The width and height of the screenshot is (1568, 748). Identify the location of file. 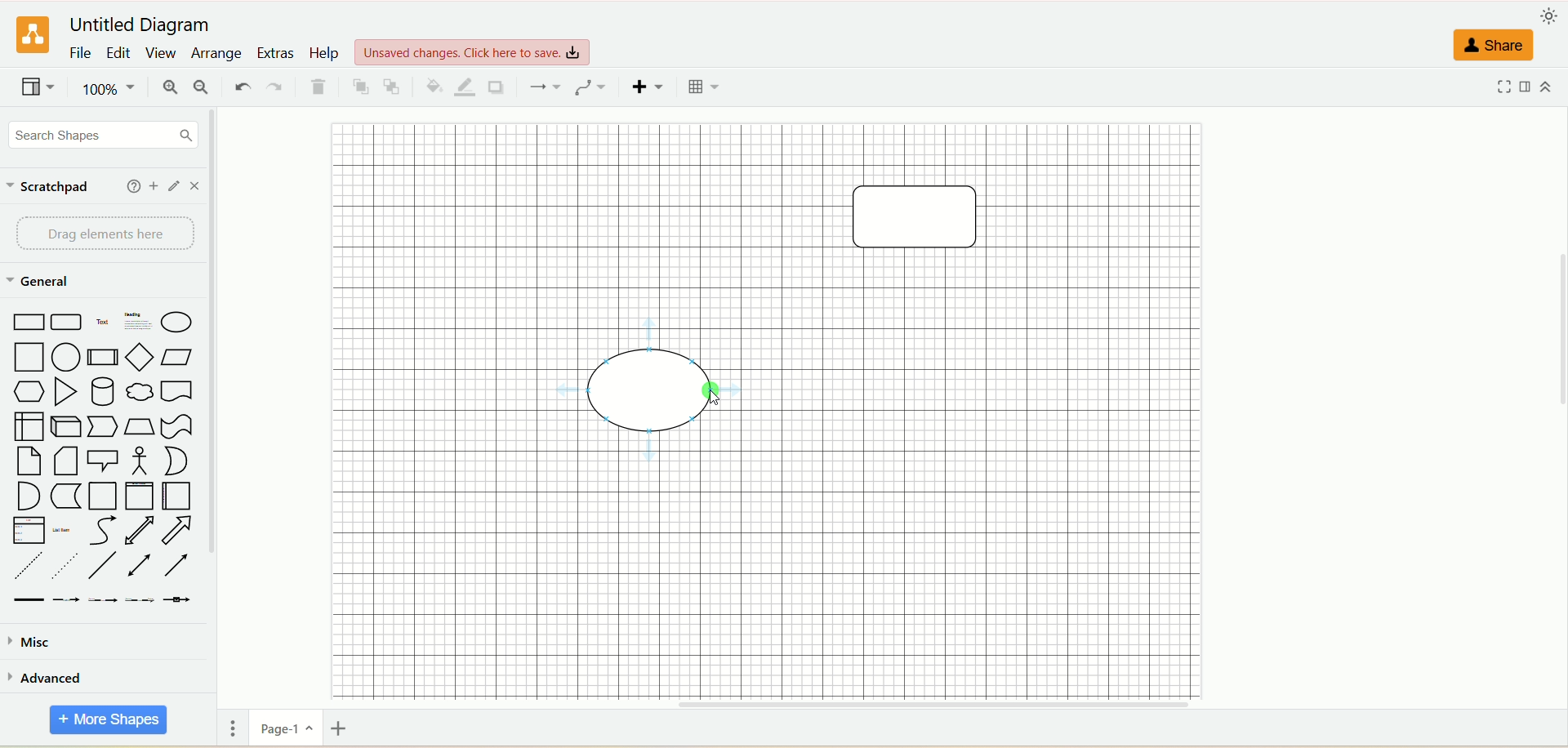
(79, 55).